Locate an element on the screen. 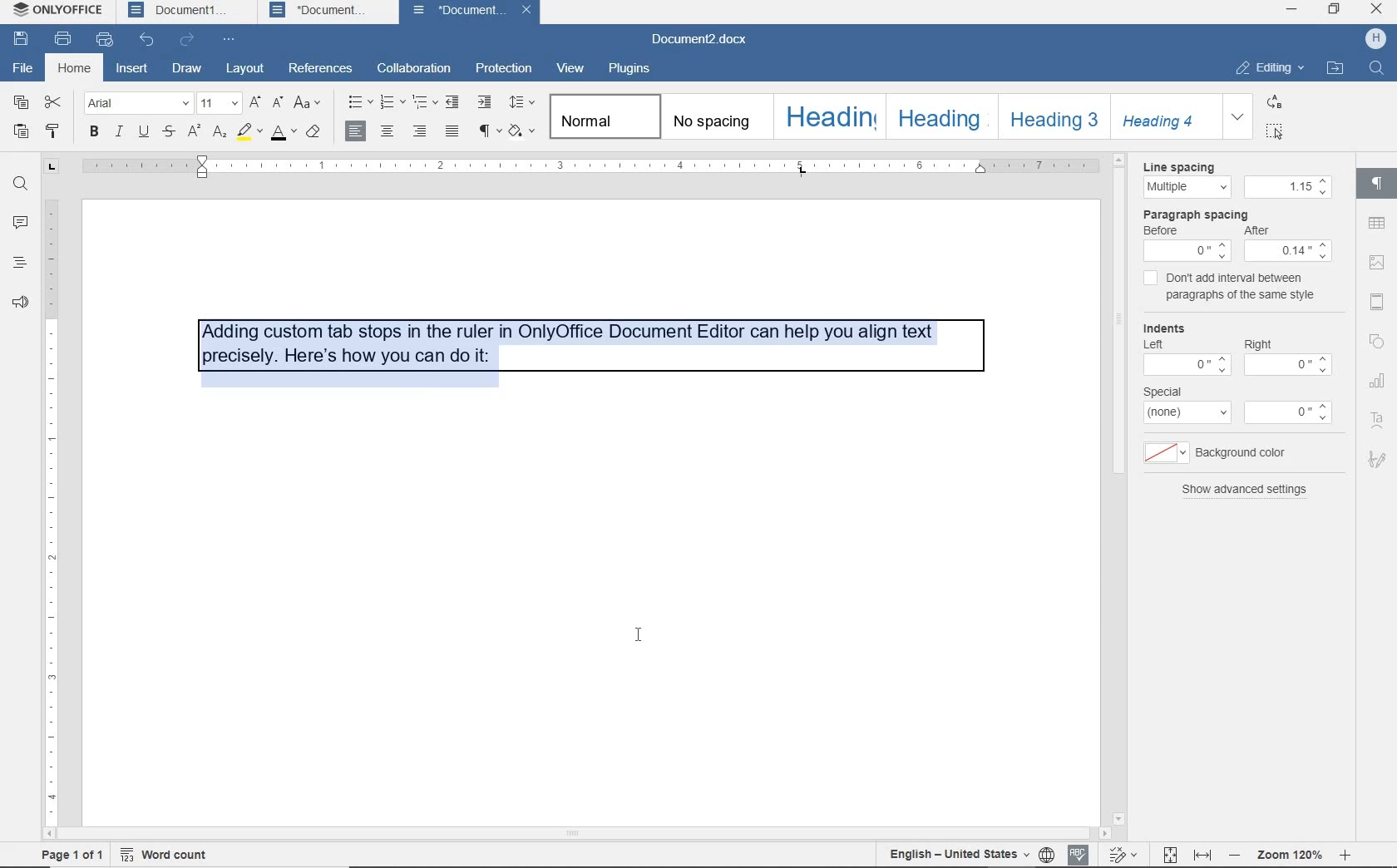 This screenshot has width=1397, height=868. paragraph settings is located at coordinates (1378, 183).